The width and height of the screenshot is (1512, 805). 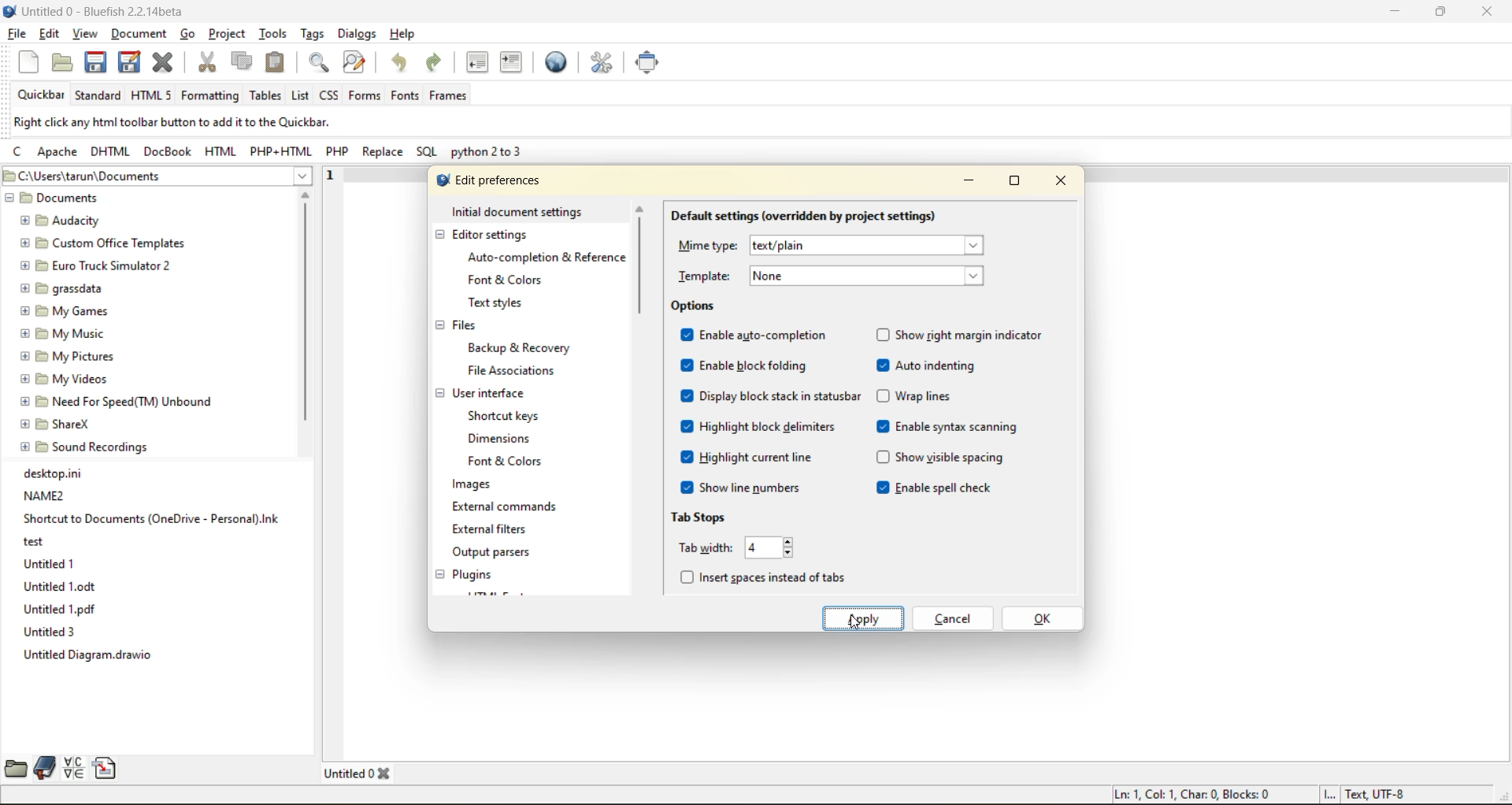 I want to click on file name and app name, so click(x=105, y=11).